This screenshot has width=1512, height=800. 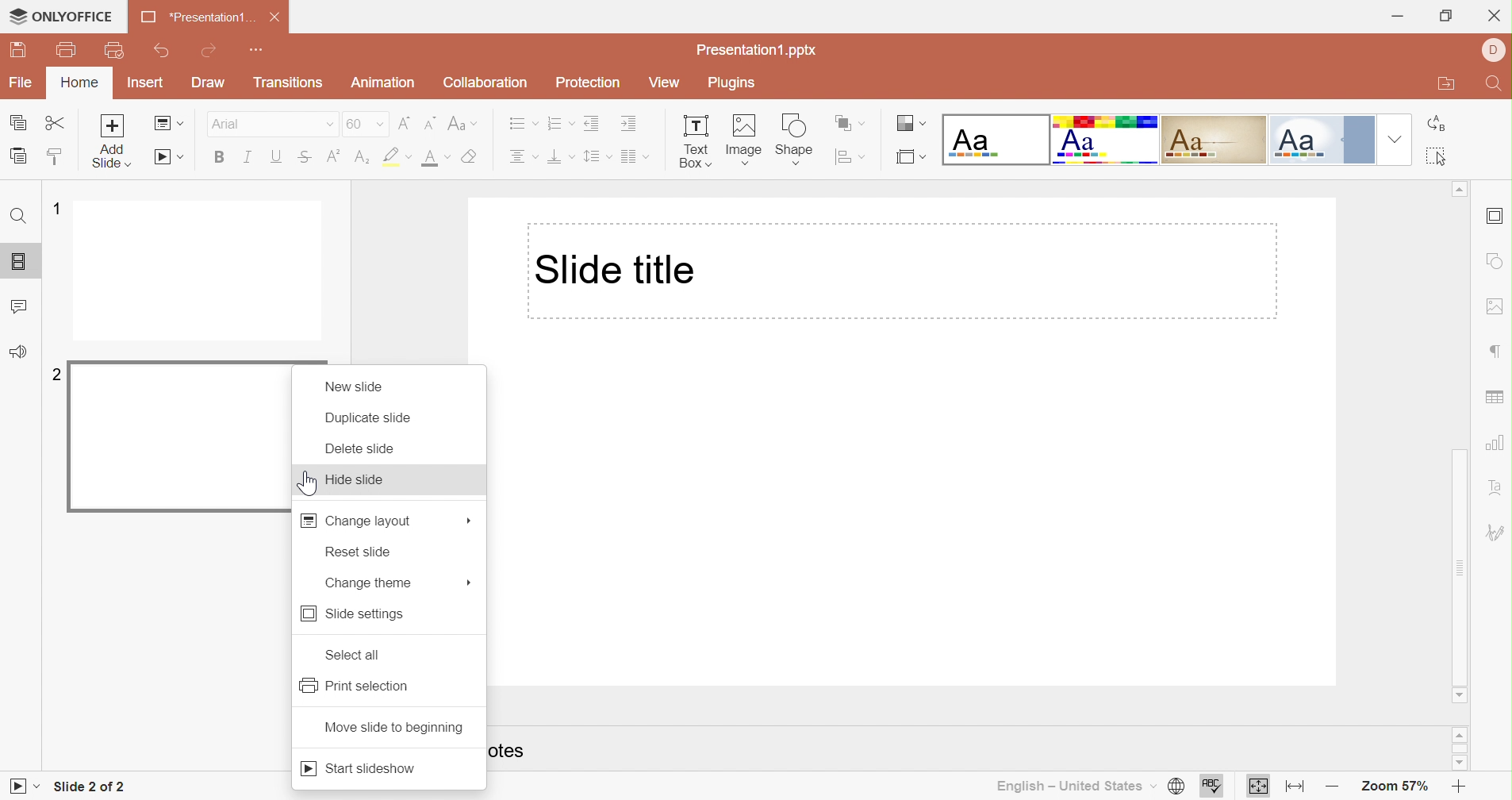 What do you see at coordinates (168, 158) in the screenshot?
I see `Start Slideshow` at bounding box center [168, 158].